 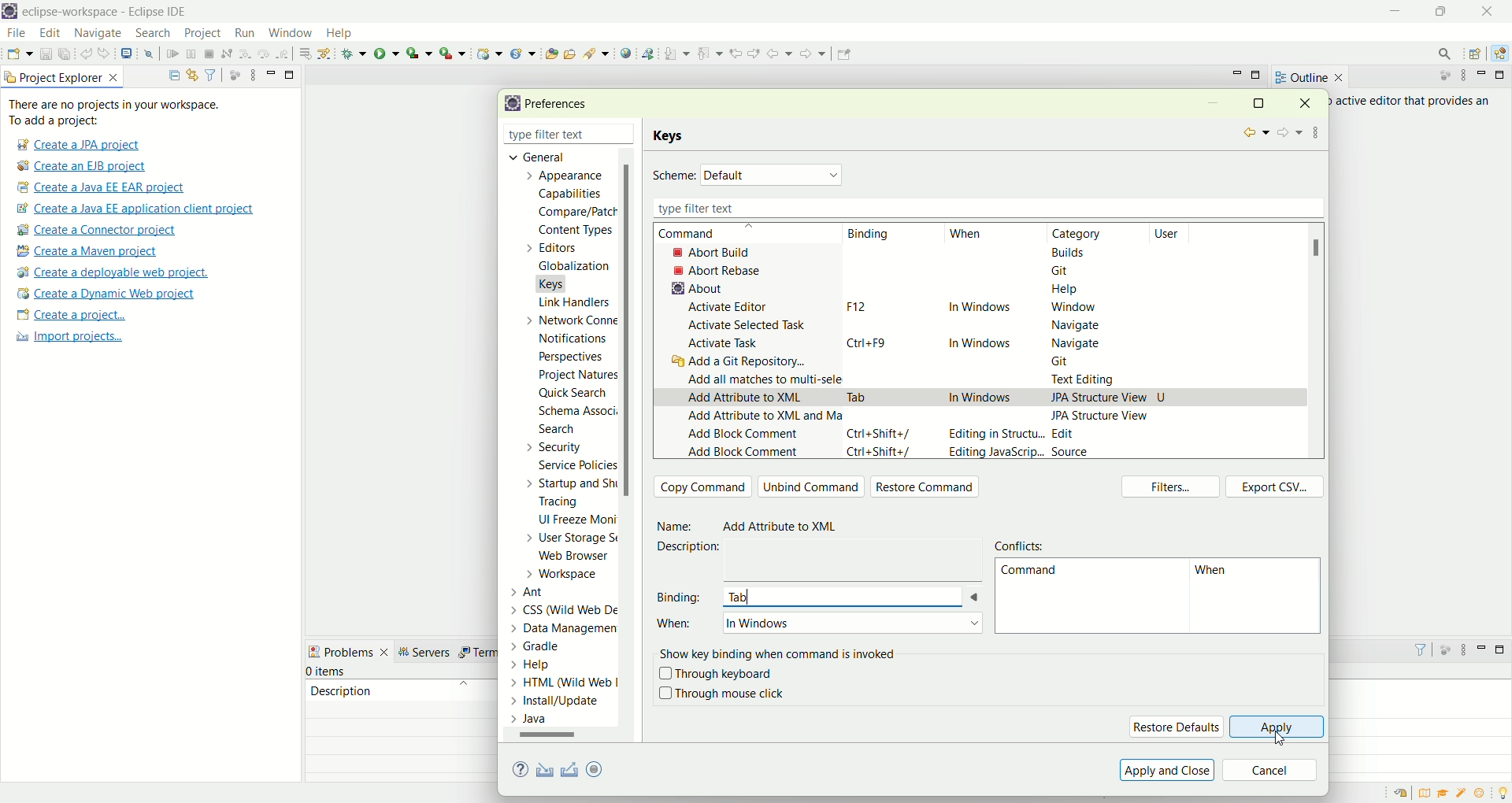 What do you see at coordinates (1443, 794) in the screenshot?
I see `tutorials` at bounding box center [1443, 794].